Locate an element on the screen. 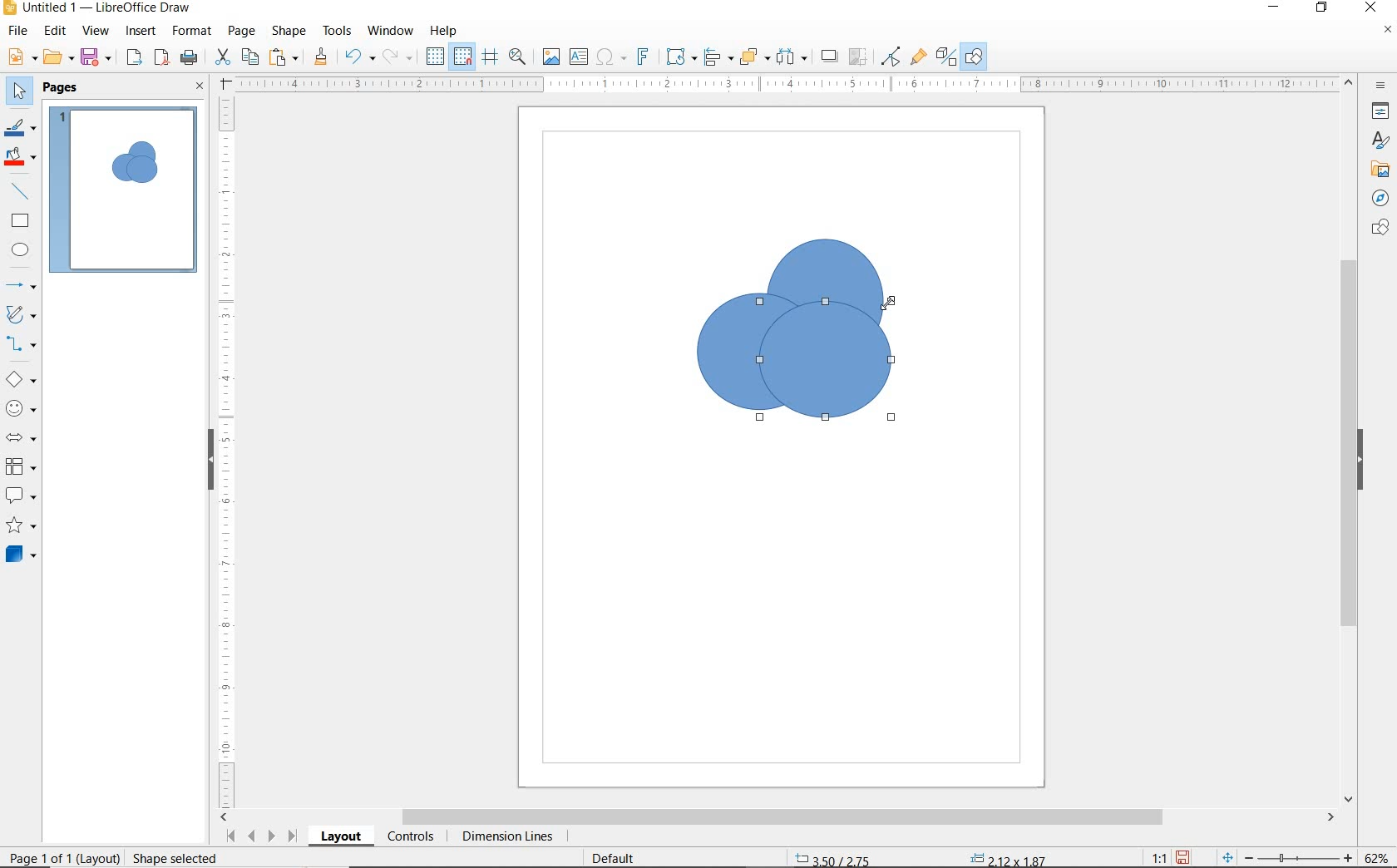 The image size is (1397, 868). CLOSE is located at coordinates (1370, 6).